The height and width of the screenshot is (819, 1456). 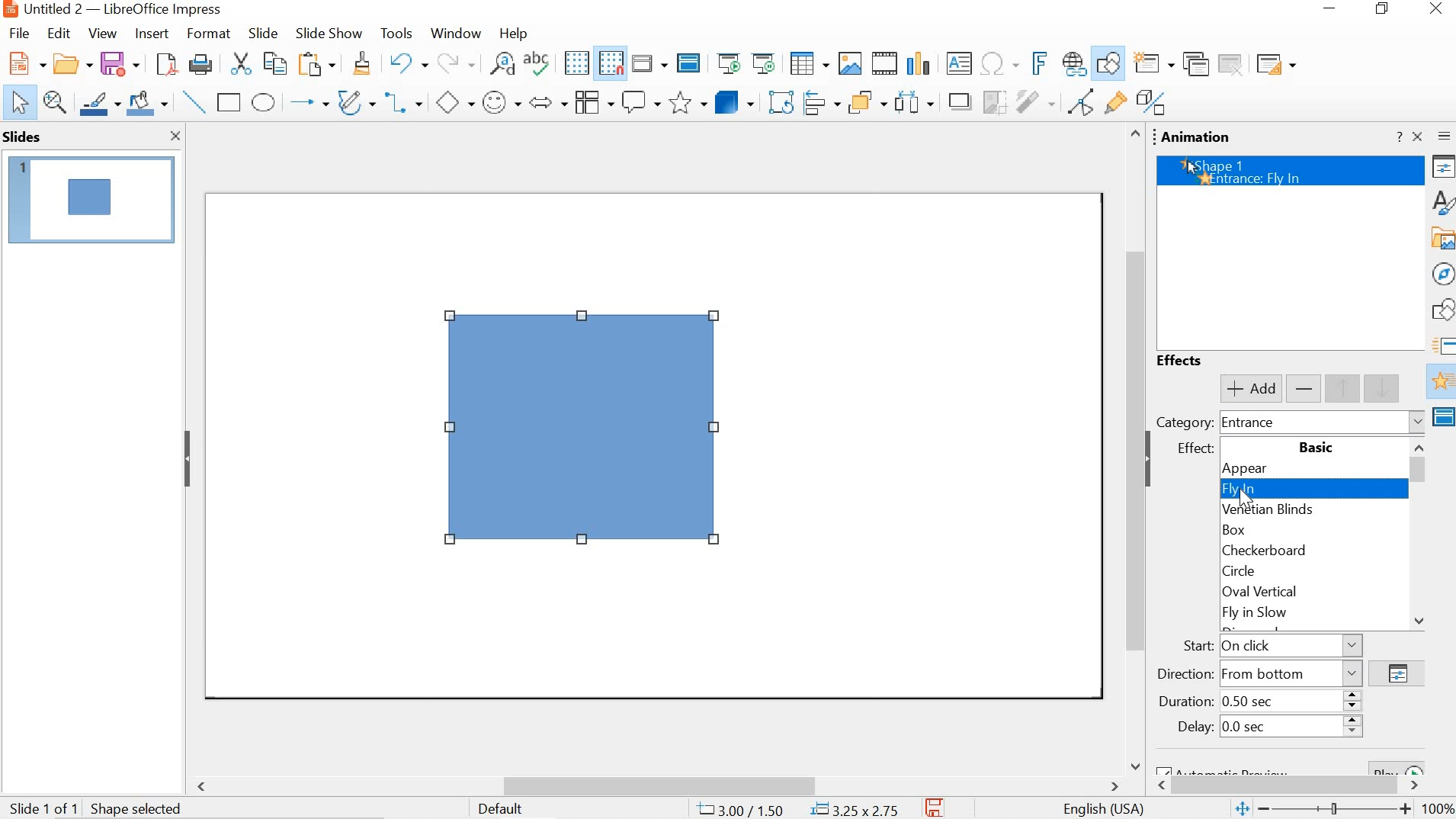 I want to click on lines and arrows, so click(x=306, y=101).